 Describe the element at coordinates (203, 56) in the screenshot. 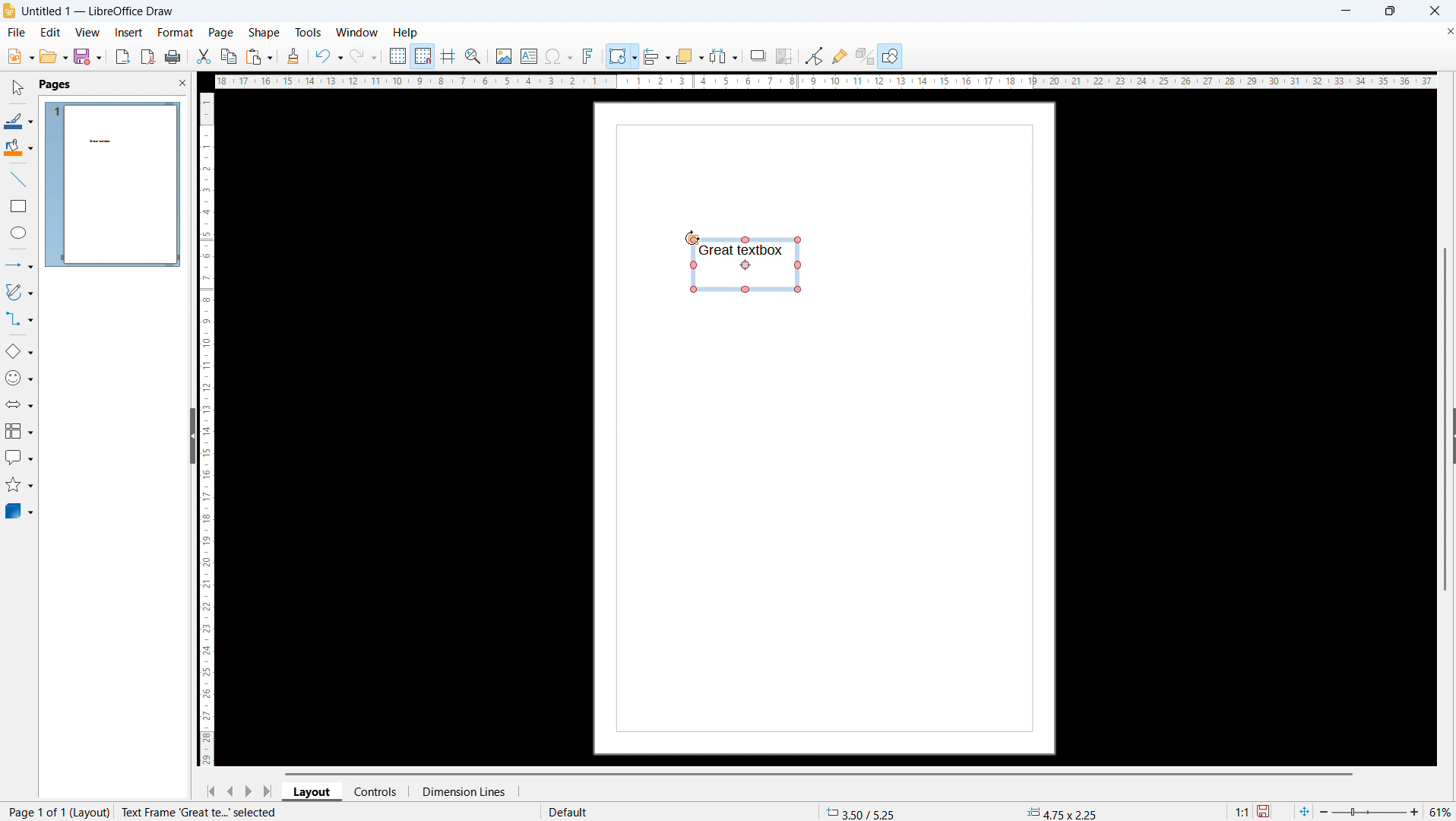

I see `cut` at that location.